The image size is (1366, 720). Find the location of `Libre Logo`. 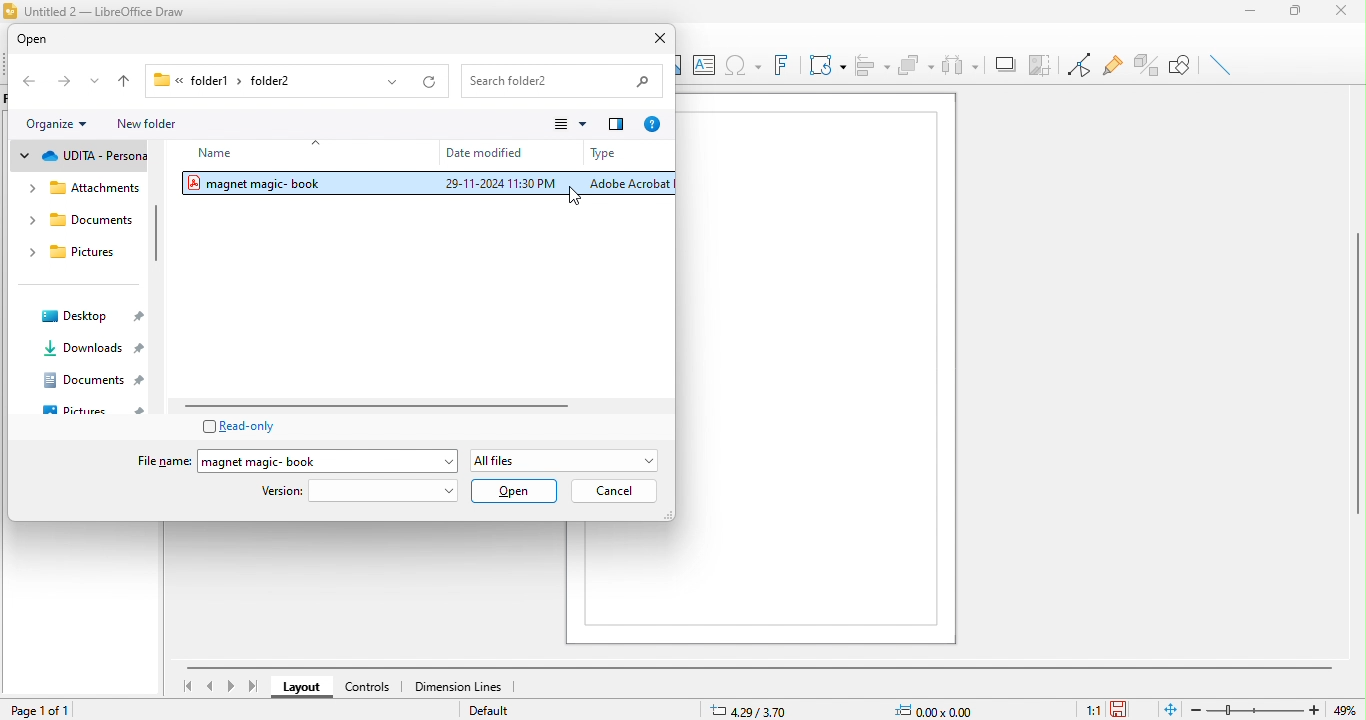

Libre Logo is located at coordinates (10, 12).